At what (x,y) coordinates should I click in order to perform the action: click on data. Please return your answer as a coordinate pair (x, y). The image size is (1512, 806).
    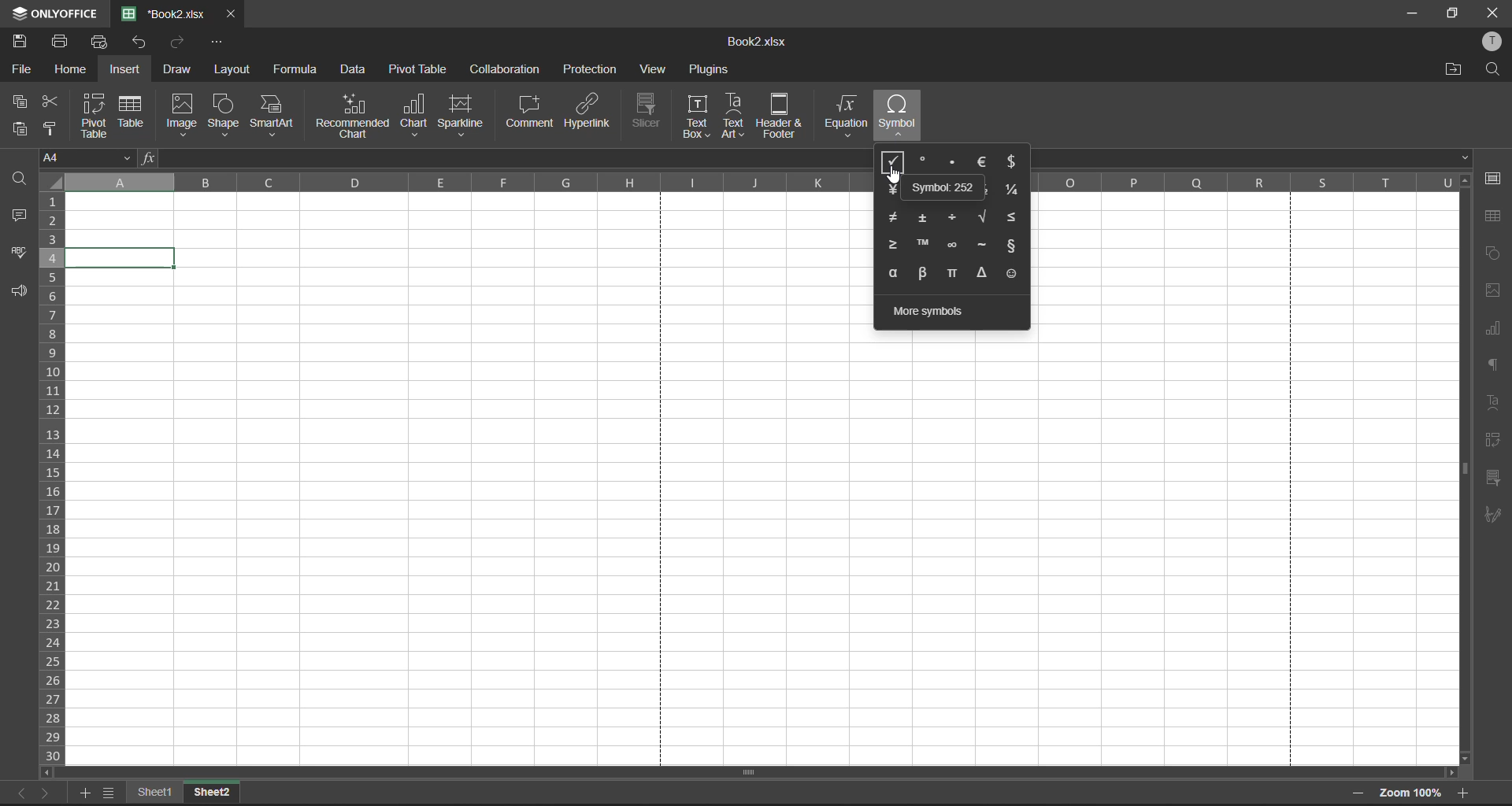
    Looking at the image, I should click on (352, 69).